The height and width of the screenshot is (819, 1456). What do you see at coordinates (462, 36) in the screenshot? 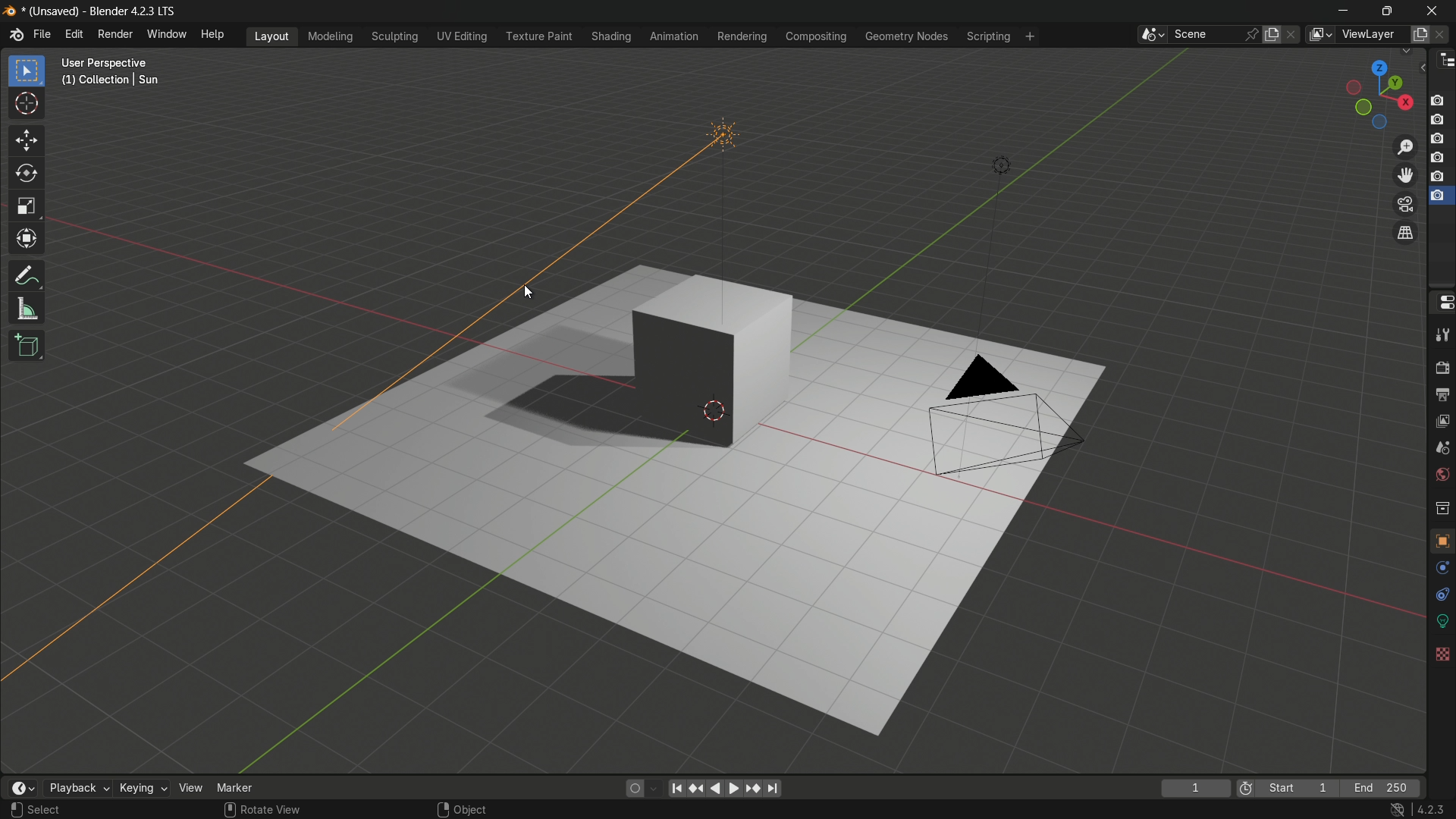
I see `uv editing` at bounding box center [462, 36].